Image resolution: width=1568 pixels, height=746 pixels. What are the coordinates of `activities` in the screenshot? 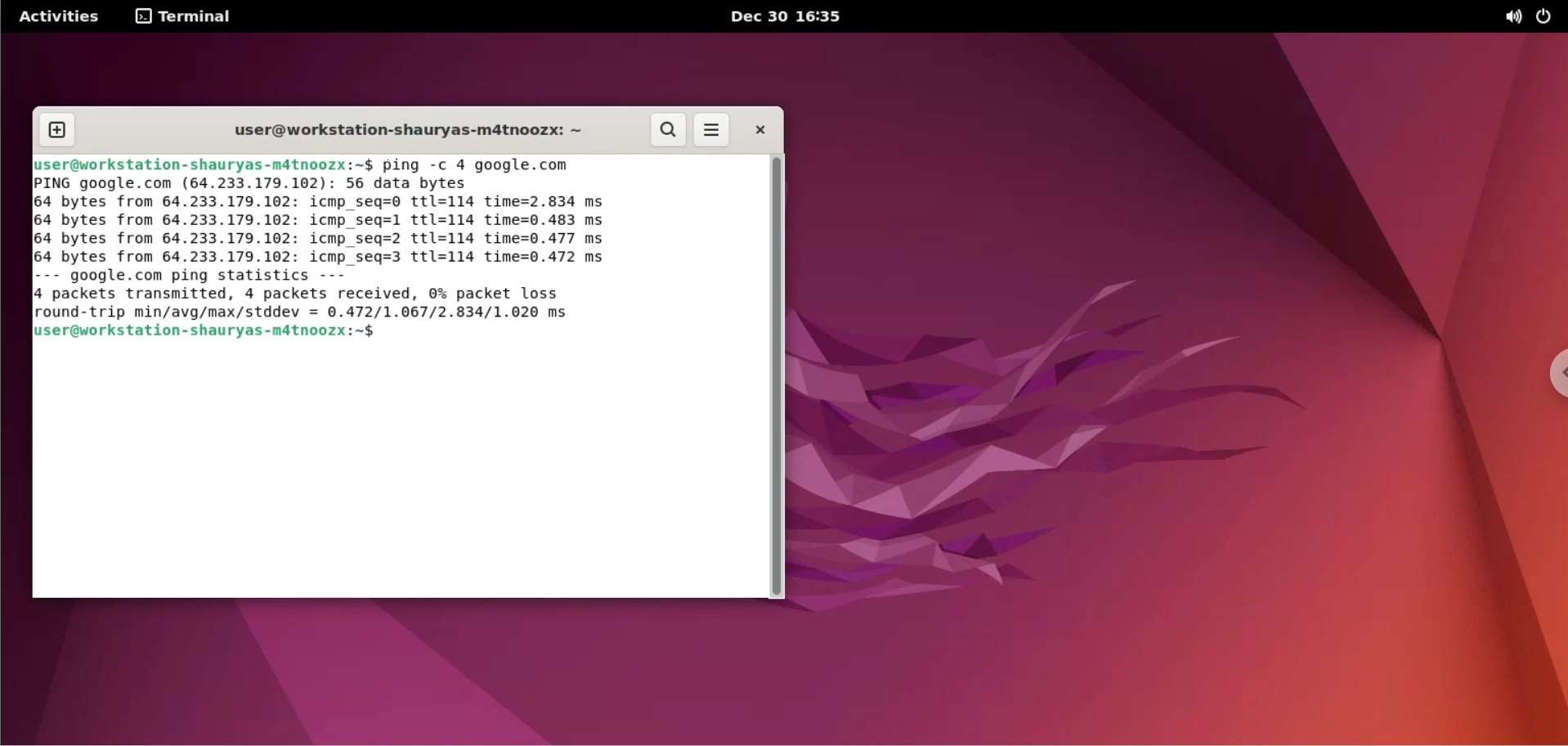 It's located at (60, 16).